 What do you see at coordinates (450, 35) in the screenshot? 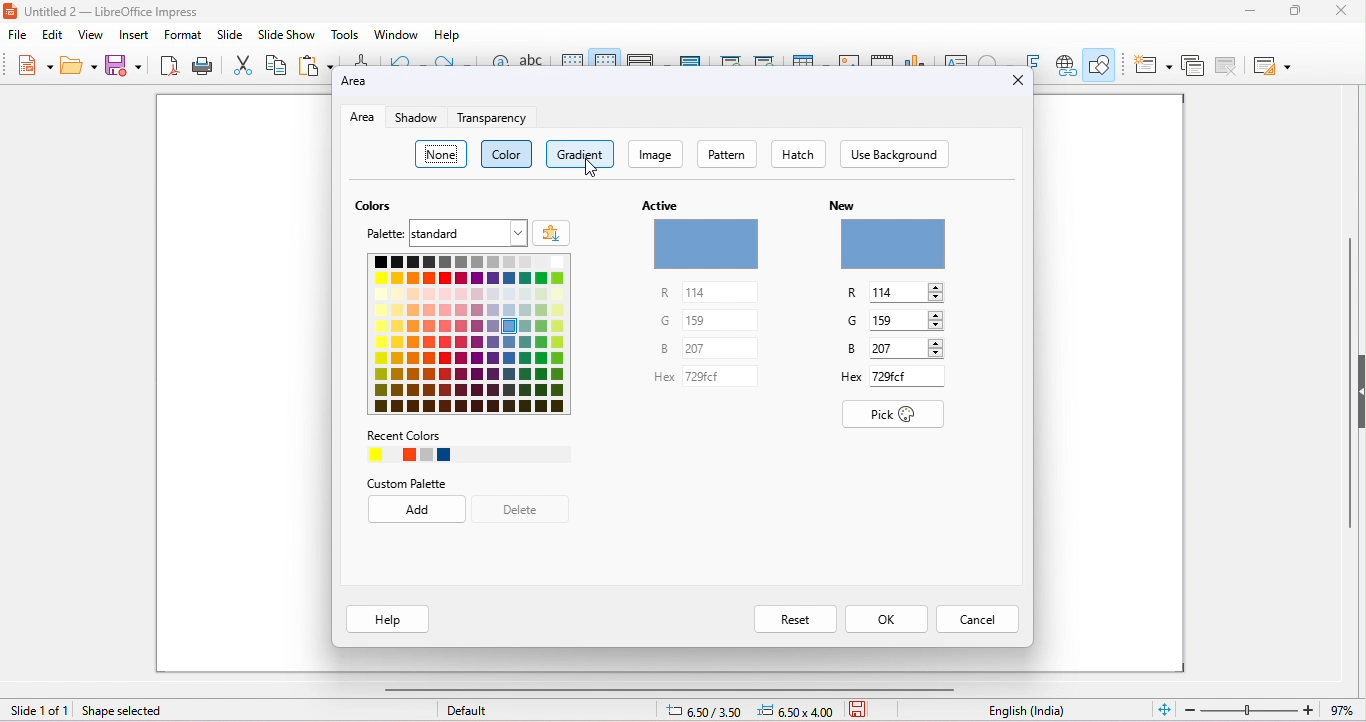
I see `help` at bounding box center [450, 35].